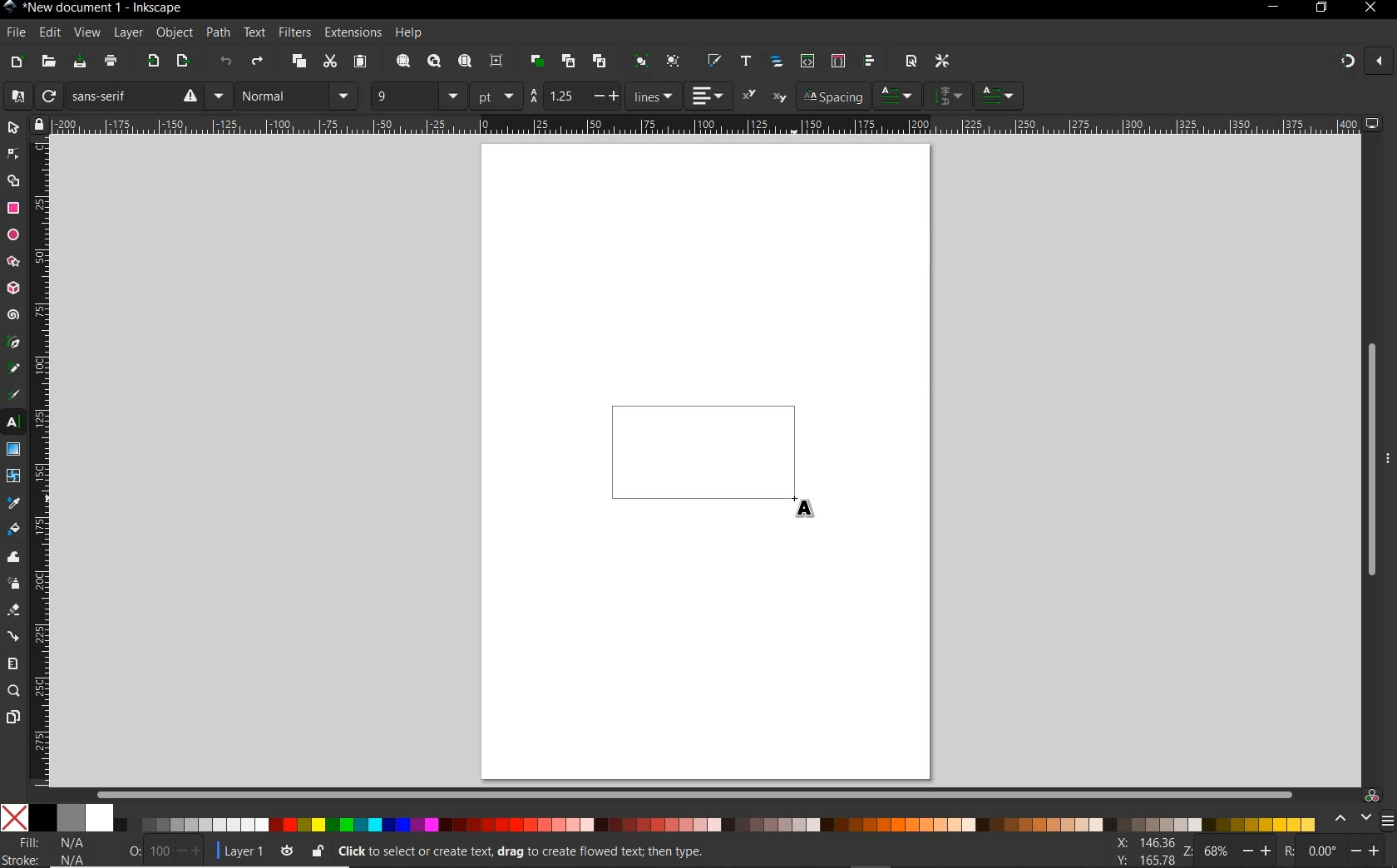  What do you see at coordinates (435, 62) in the screenshot?
I see `zoom drawing` at bounding box center [435, 62].